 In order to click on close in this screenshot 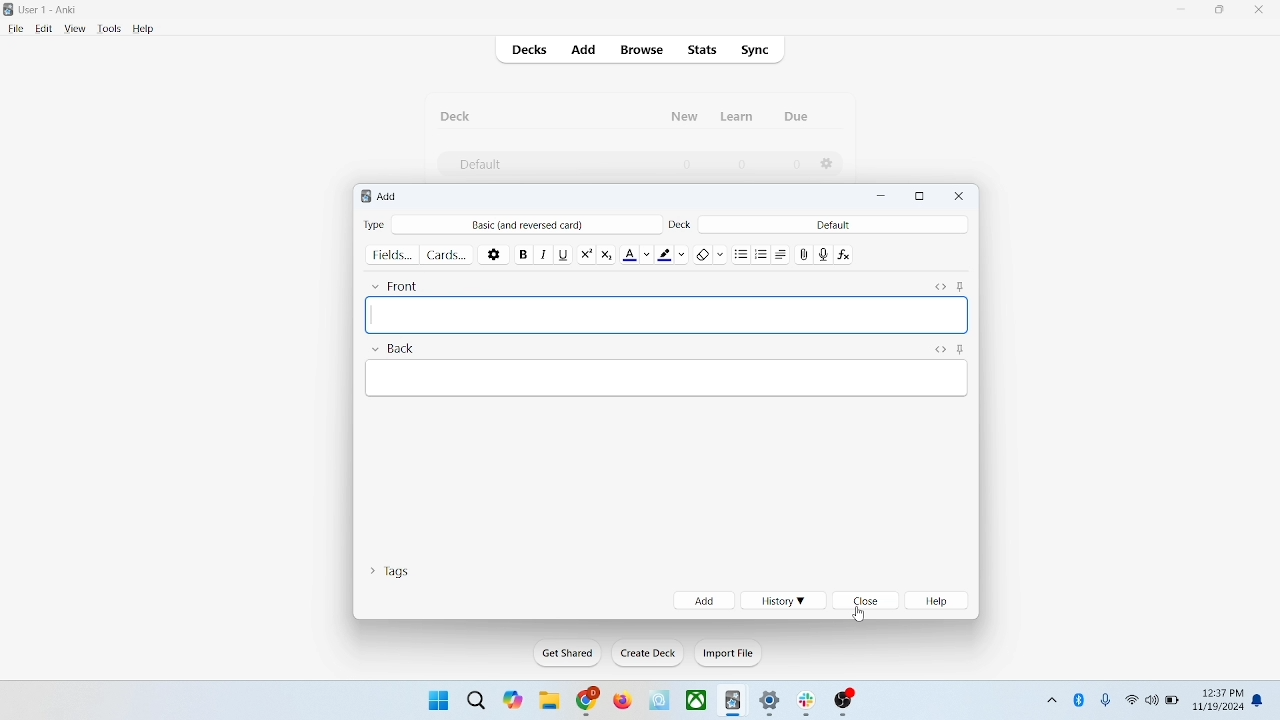, I will do `click(1263, 12)`.